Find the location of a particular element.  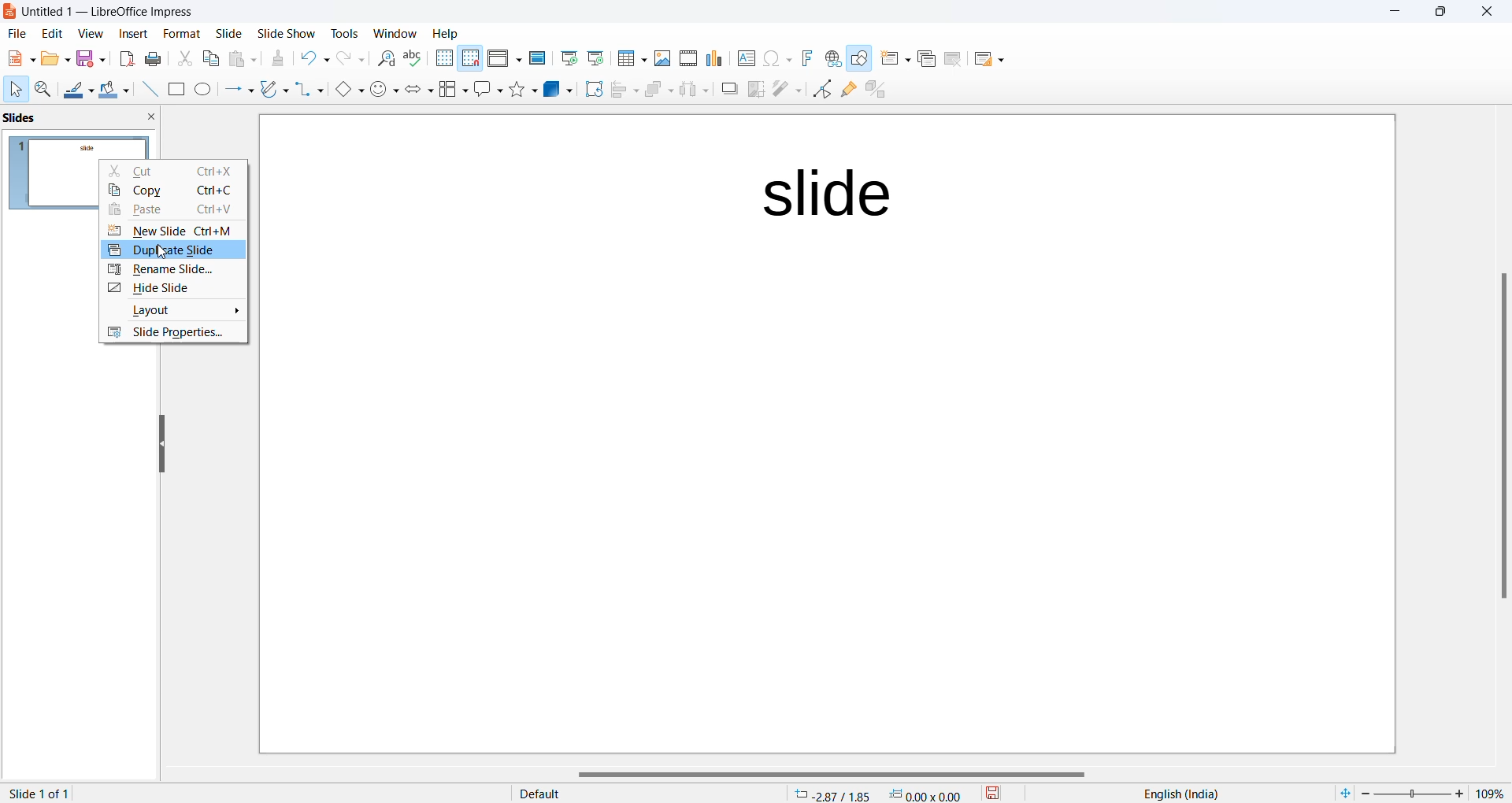

Paste options is located at coordinates (244, 58).